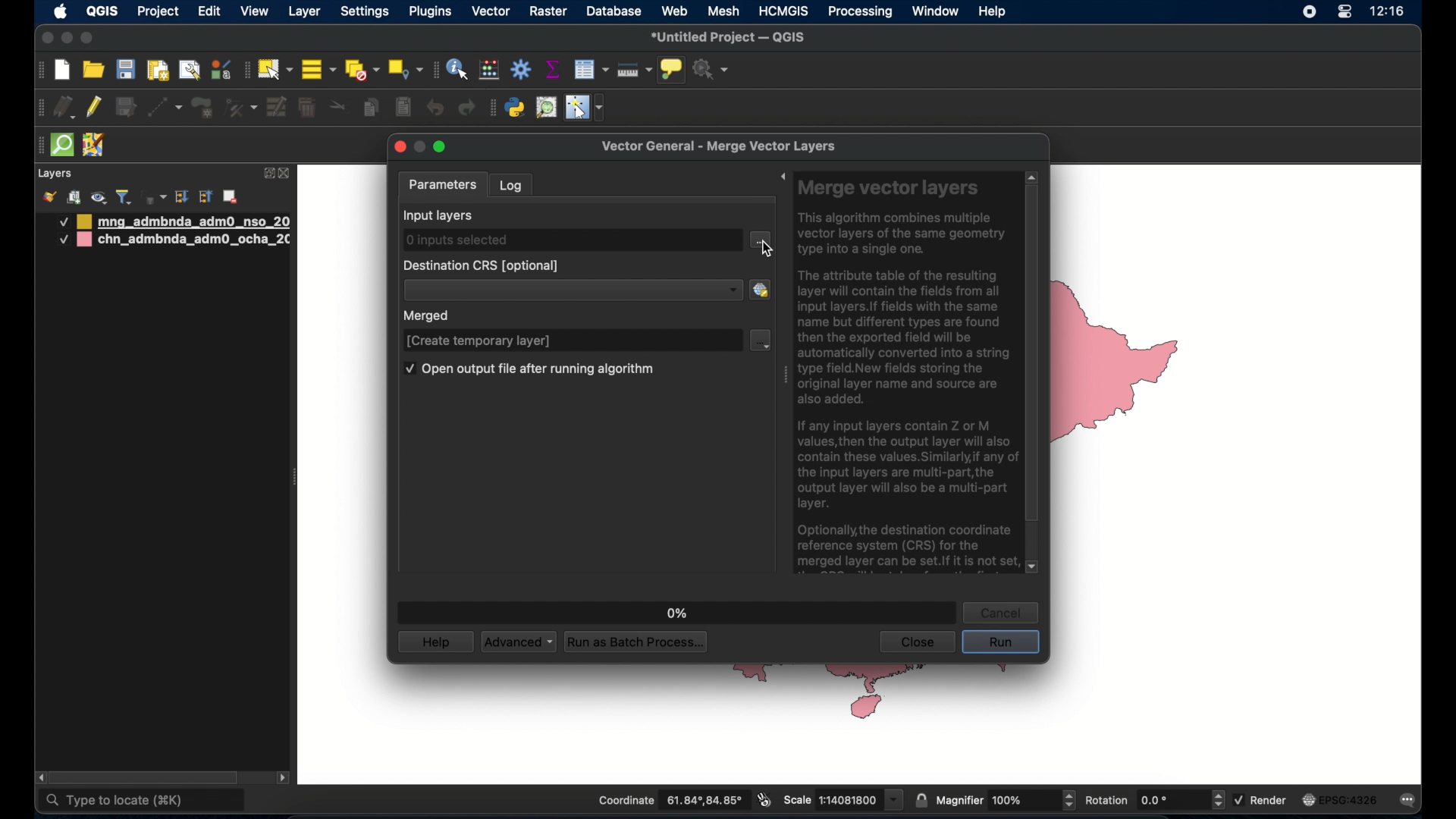 The height and width of the screenshot is (819, 1456). I want to click on layer, so click(306, 11).